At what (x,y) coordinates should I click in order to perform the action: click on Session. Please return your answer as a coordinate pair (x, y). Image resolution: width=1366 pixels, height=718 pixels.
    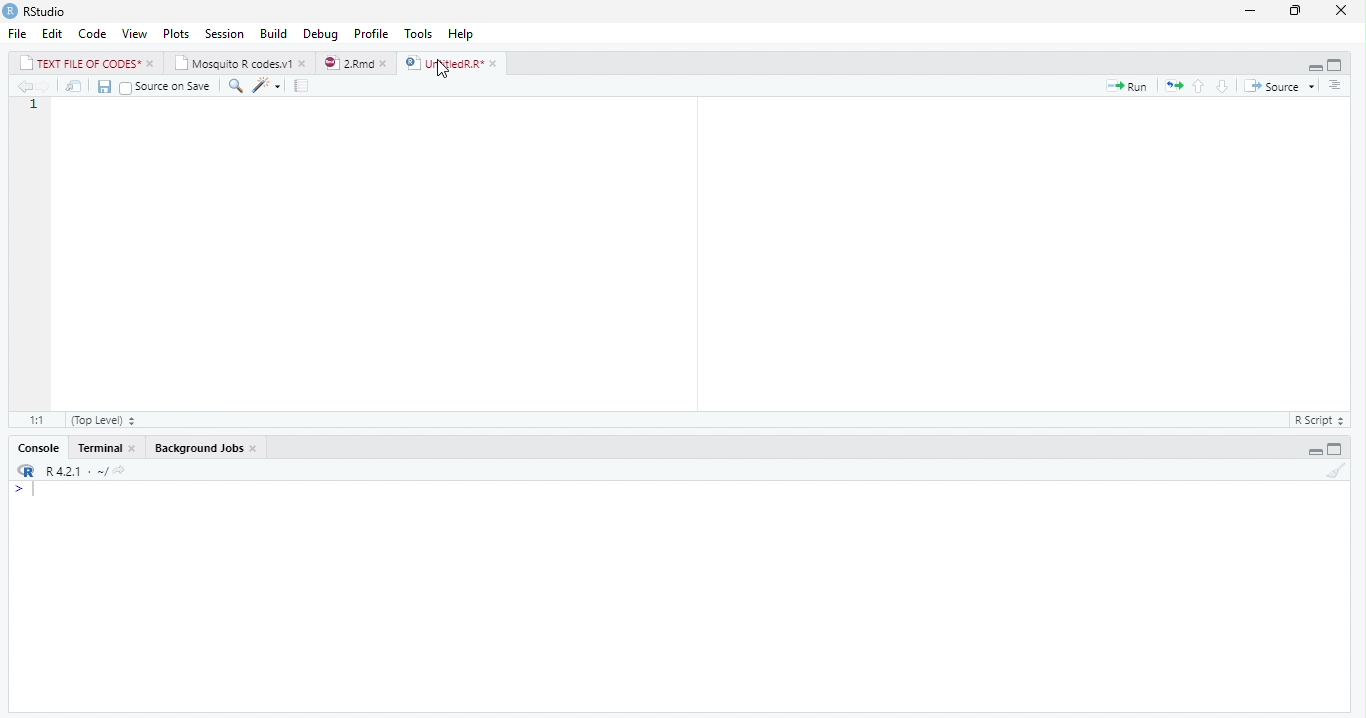
    Looking at the image, I should click on (226, 33).